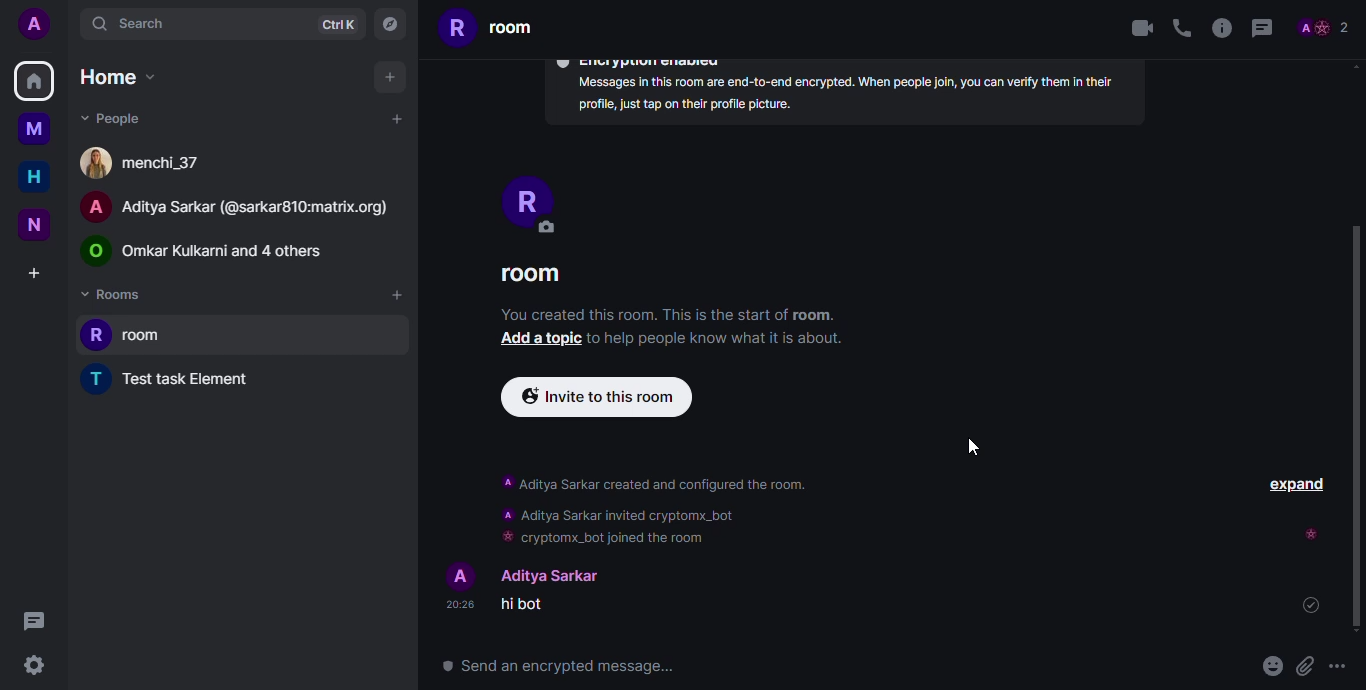 Image resolution: width=1366 pixels, height=690 pixels. I want to click on more, so click(1338, 666).